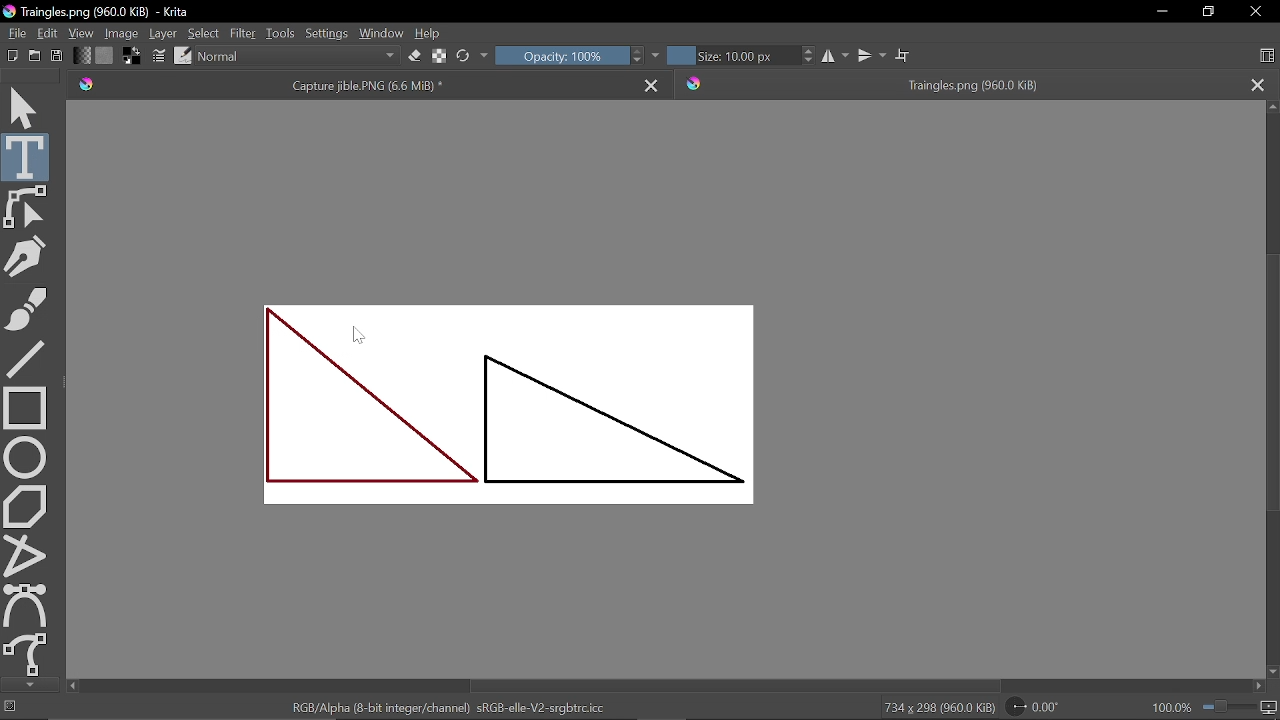 The height and width of the screenshot is (720, 1280). I want to click on New document , so click(10, 57).